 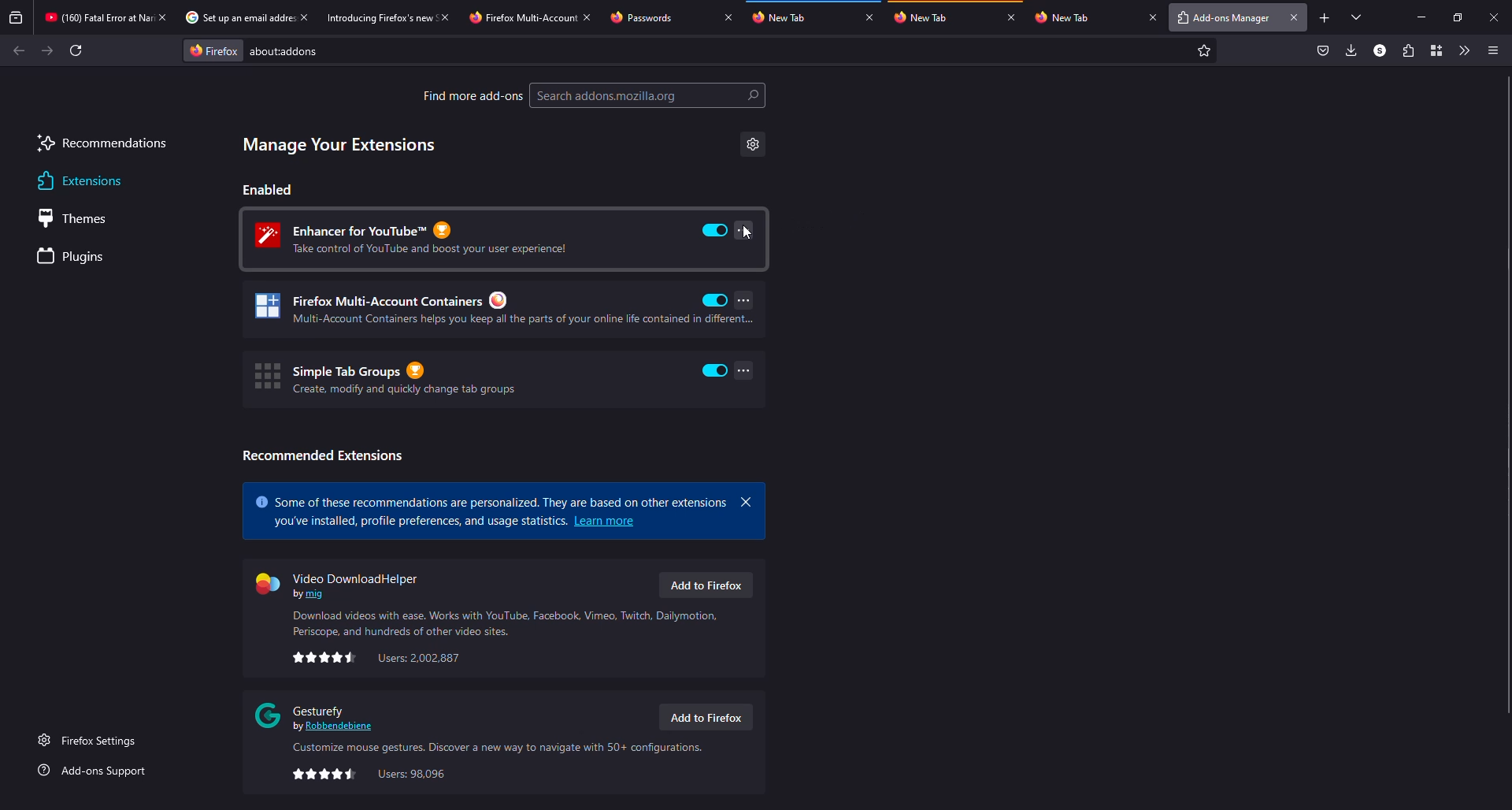 What do you see at coordinates (715, 300) in the screenshot?
I see `enabled` at bounding box center [715, 300].